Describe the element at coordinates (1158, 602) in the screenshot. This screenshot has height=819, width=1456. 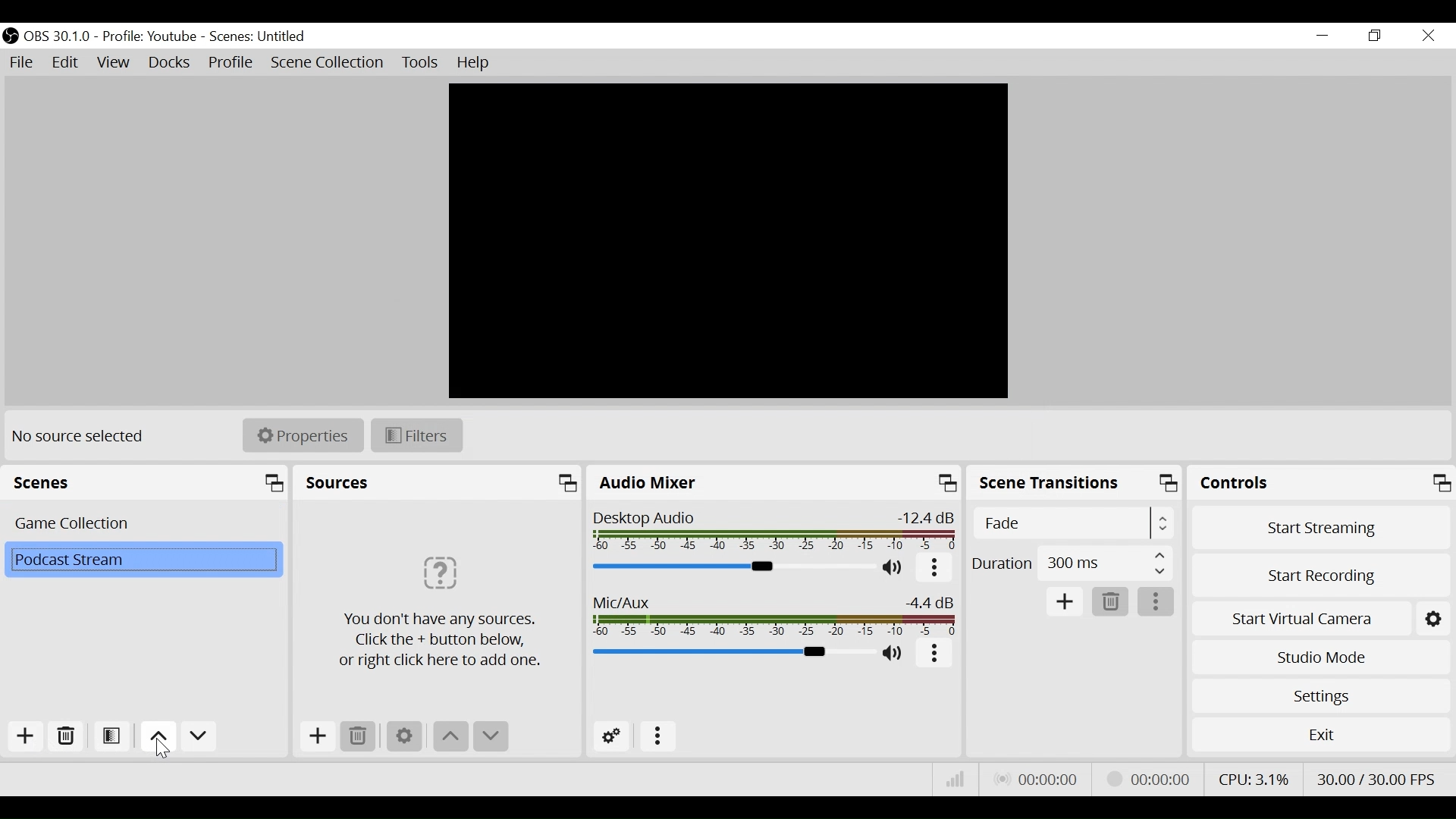
I see `more options` at that location.